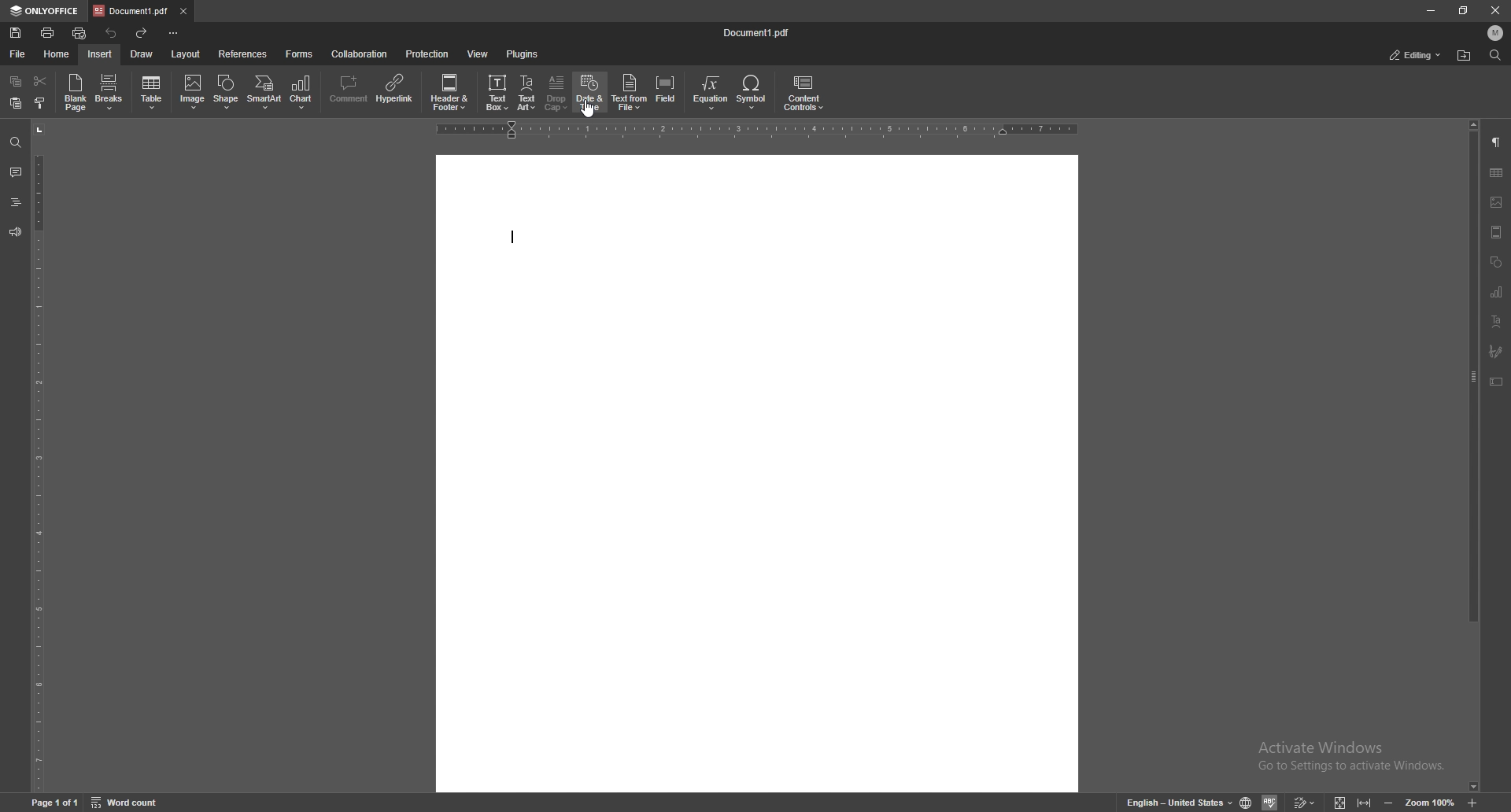 Image resolution: width=1511 pixels, height=812 pixels. Describe the element at coordinates (586, 113) in the screenshot. I see `cursor` at that location.